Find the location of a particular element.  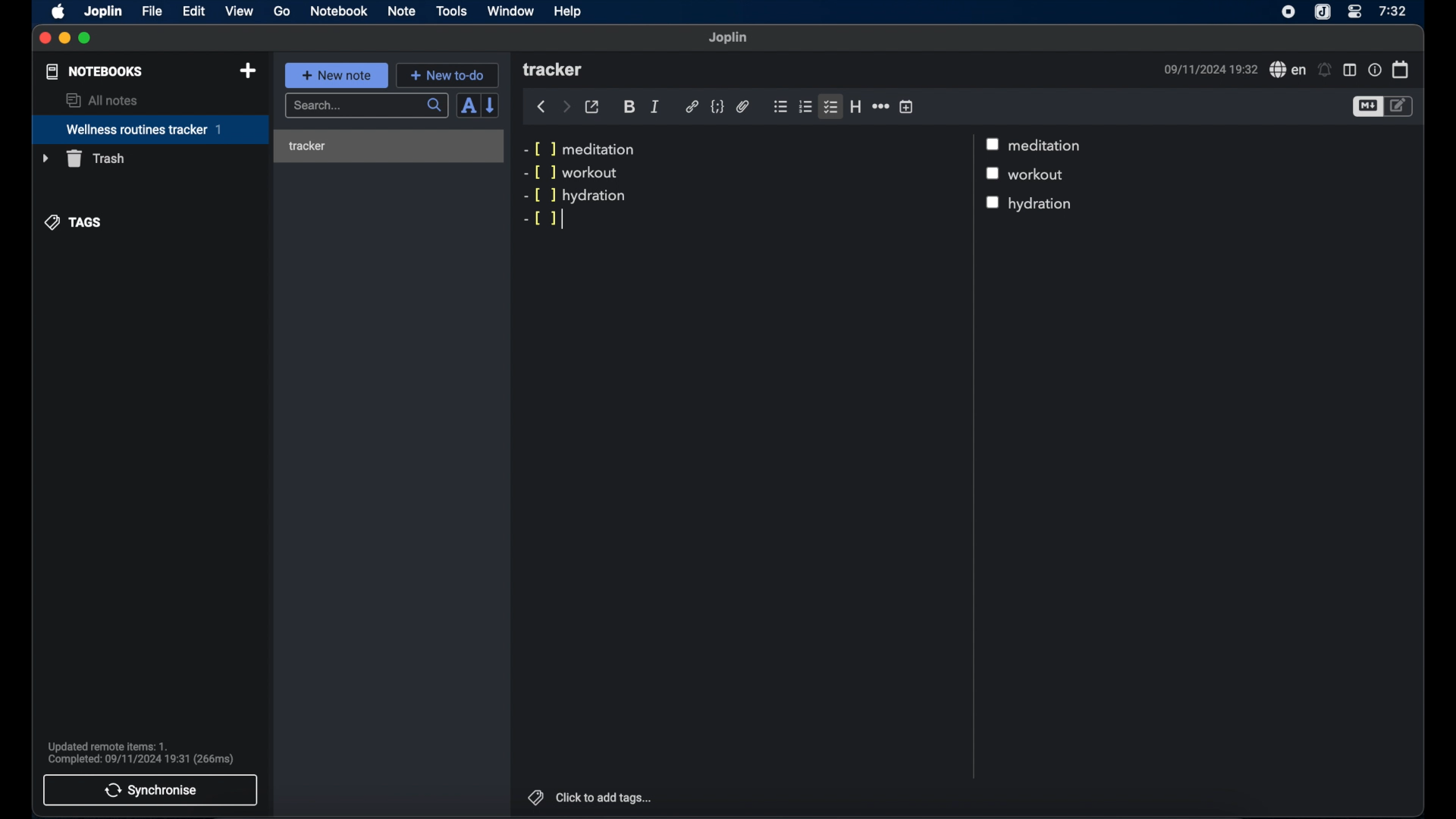

wellness routines tracker 1 is located at coordinates (149, 130).